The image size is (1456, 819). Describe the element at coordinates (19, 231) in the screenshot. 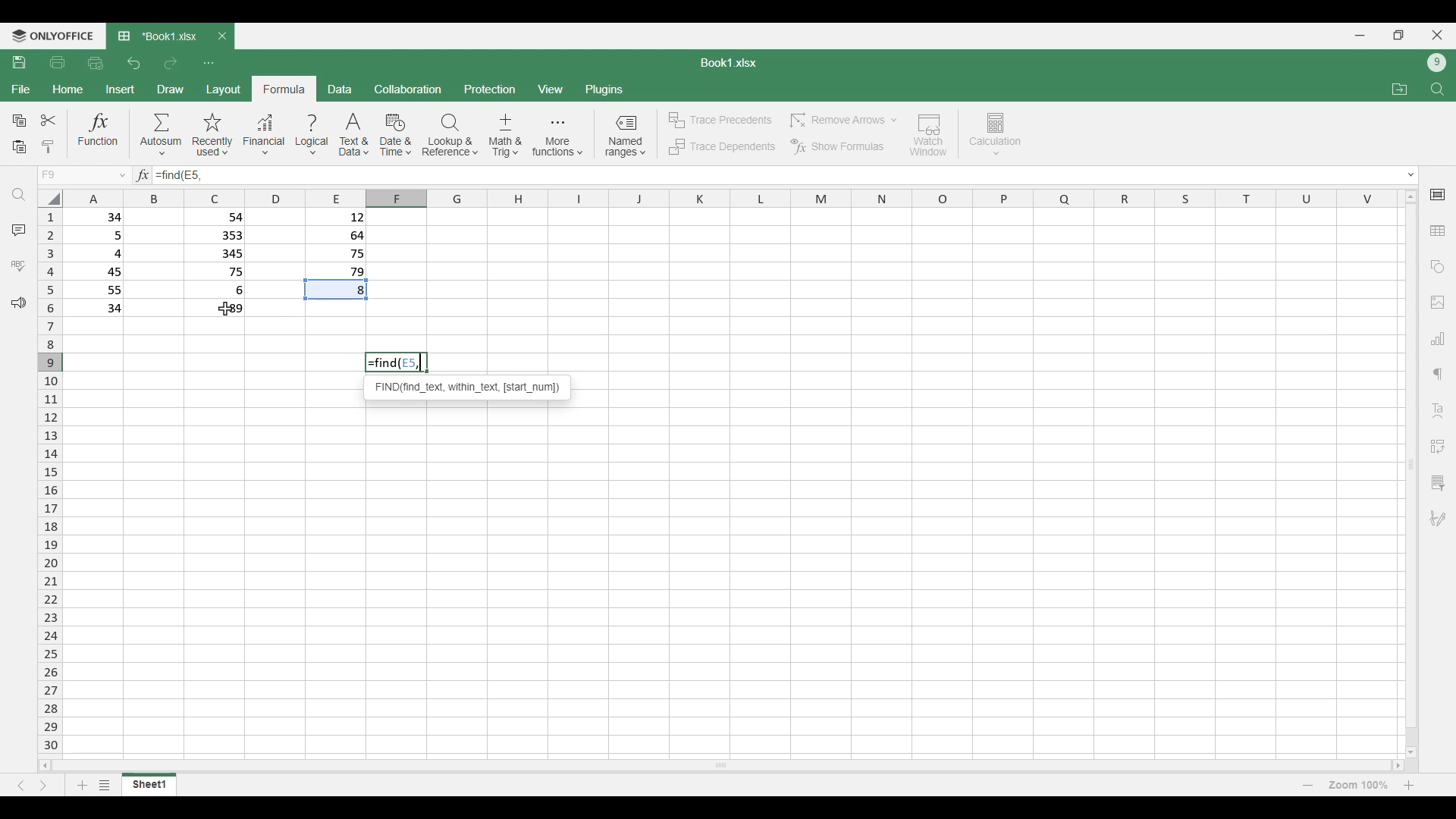

I see `Comments` at that location.